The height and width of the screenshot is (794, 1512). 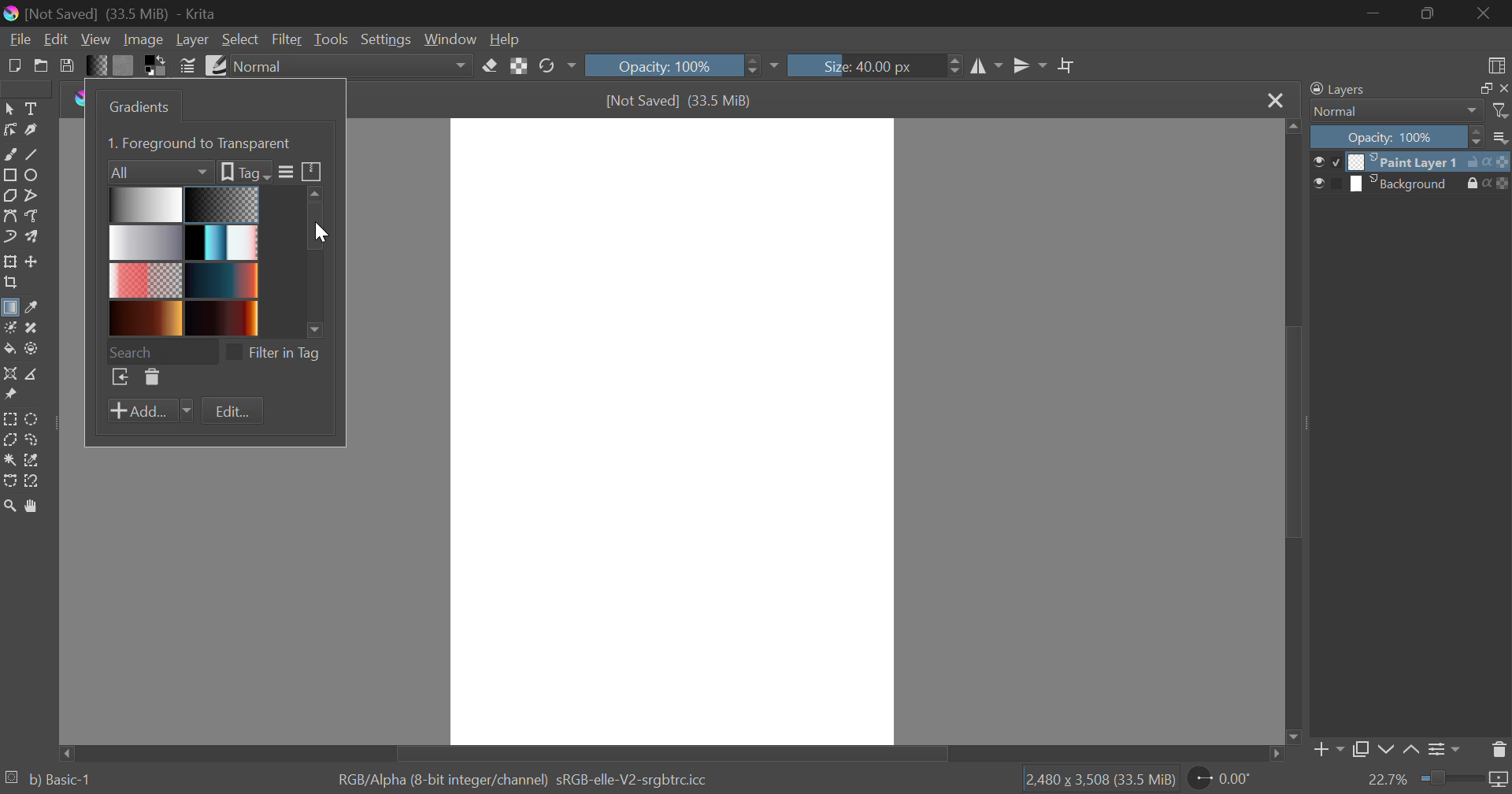 What do you see at coordinates (1430, 15) in the screenshot?
I see `Minimize` at bounding box center [1430, 15].